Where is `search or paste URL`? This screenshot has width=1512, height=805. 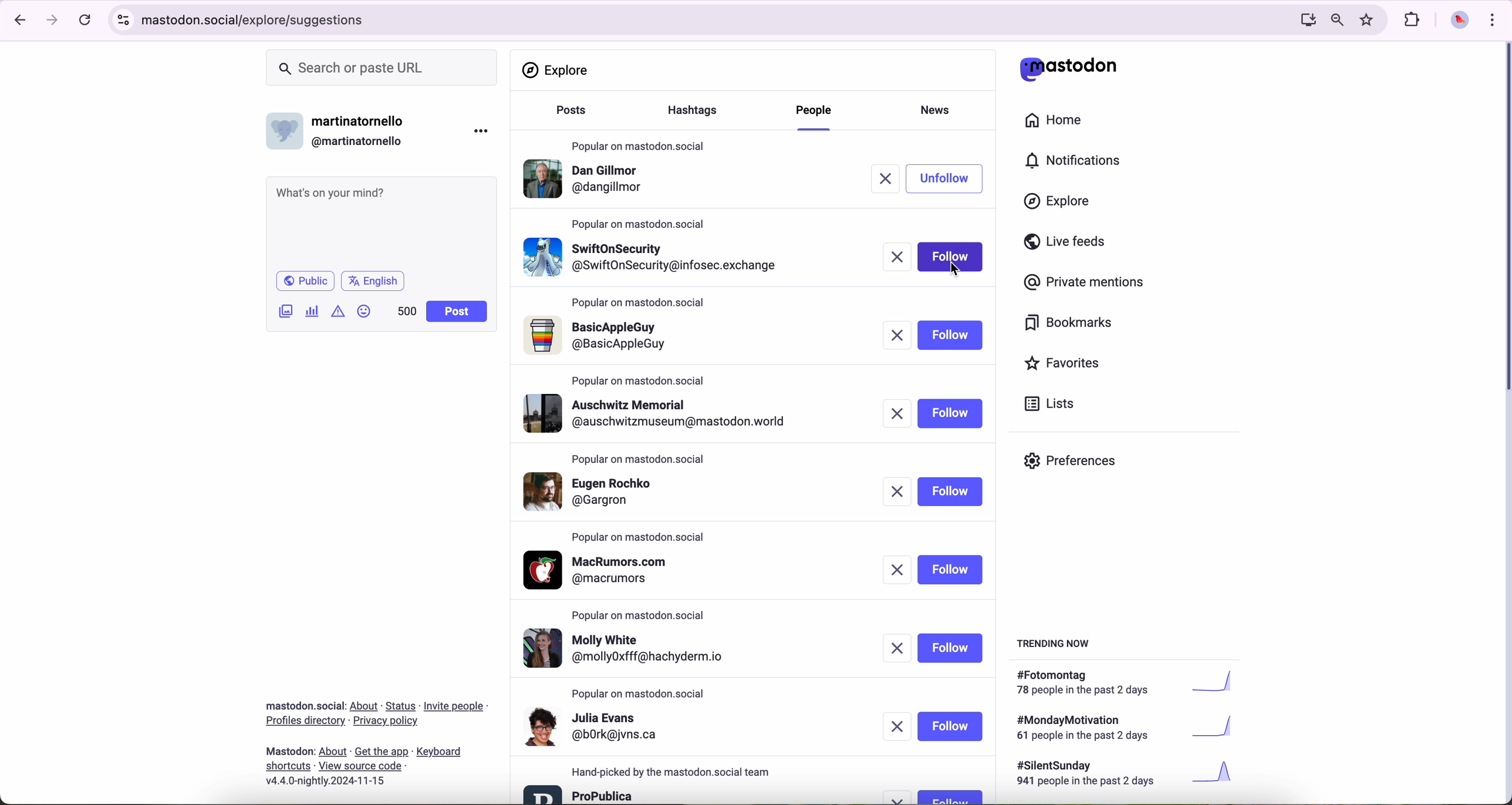 search or paste URL is located at coordinates (382, 68).